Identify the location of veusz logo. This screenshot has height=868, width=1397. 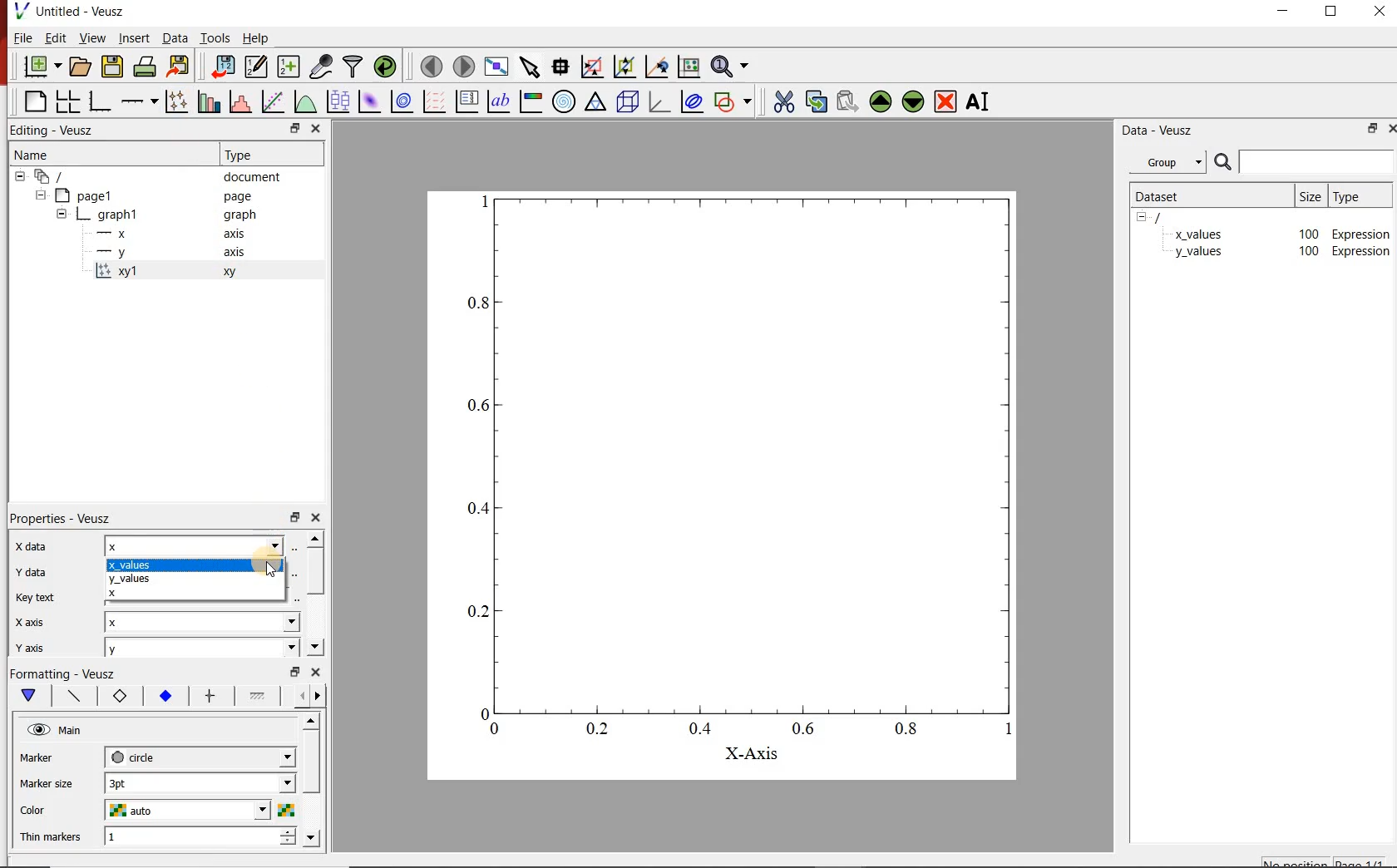
(16, 11).